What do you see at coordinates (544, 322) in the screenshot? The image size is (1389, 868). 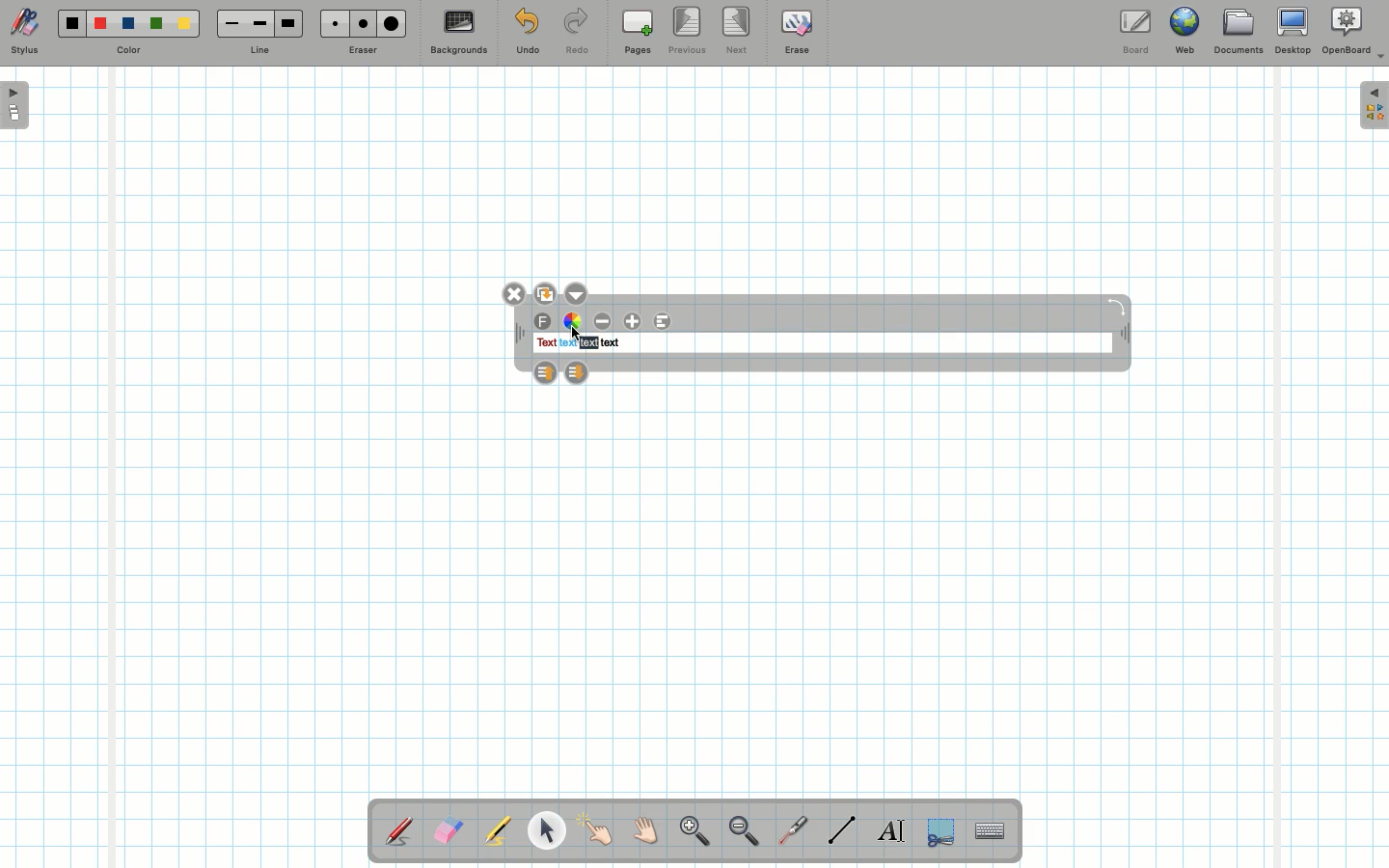 I see `Font` at bounding box center [544, 322].